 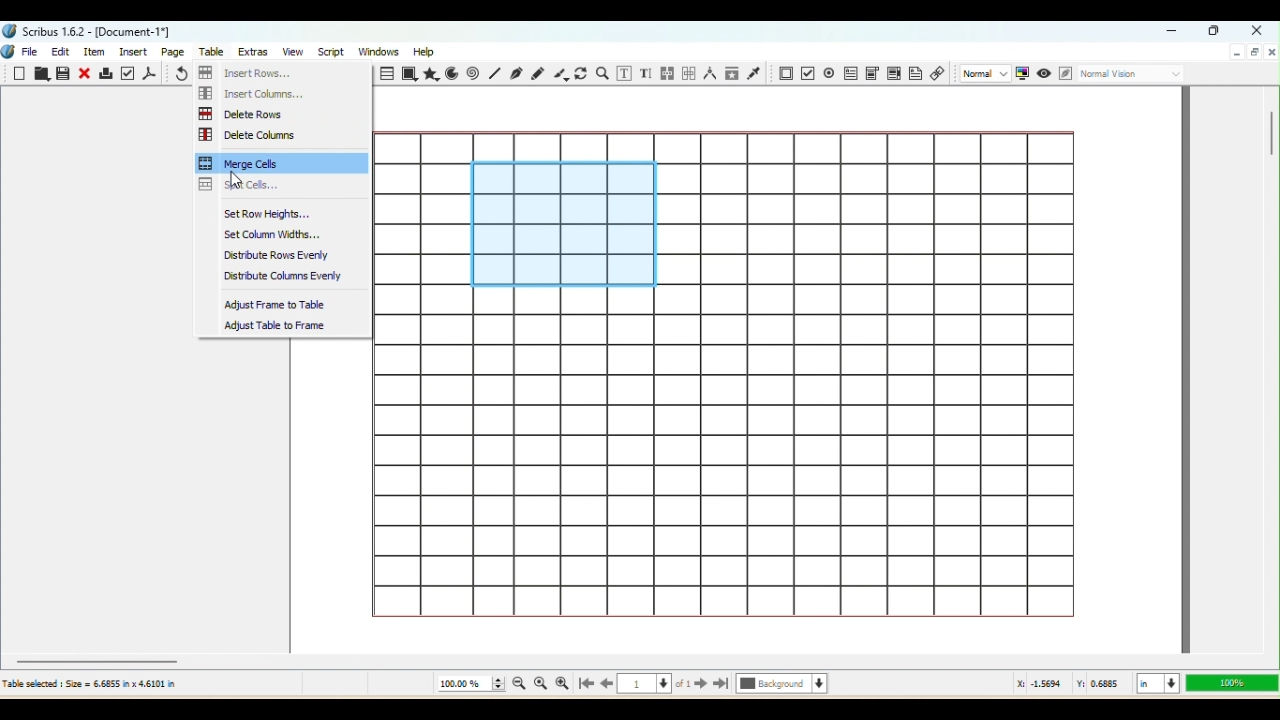 I want to click on cursor, so click(x=238, y=180).